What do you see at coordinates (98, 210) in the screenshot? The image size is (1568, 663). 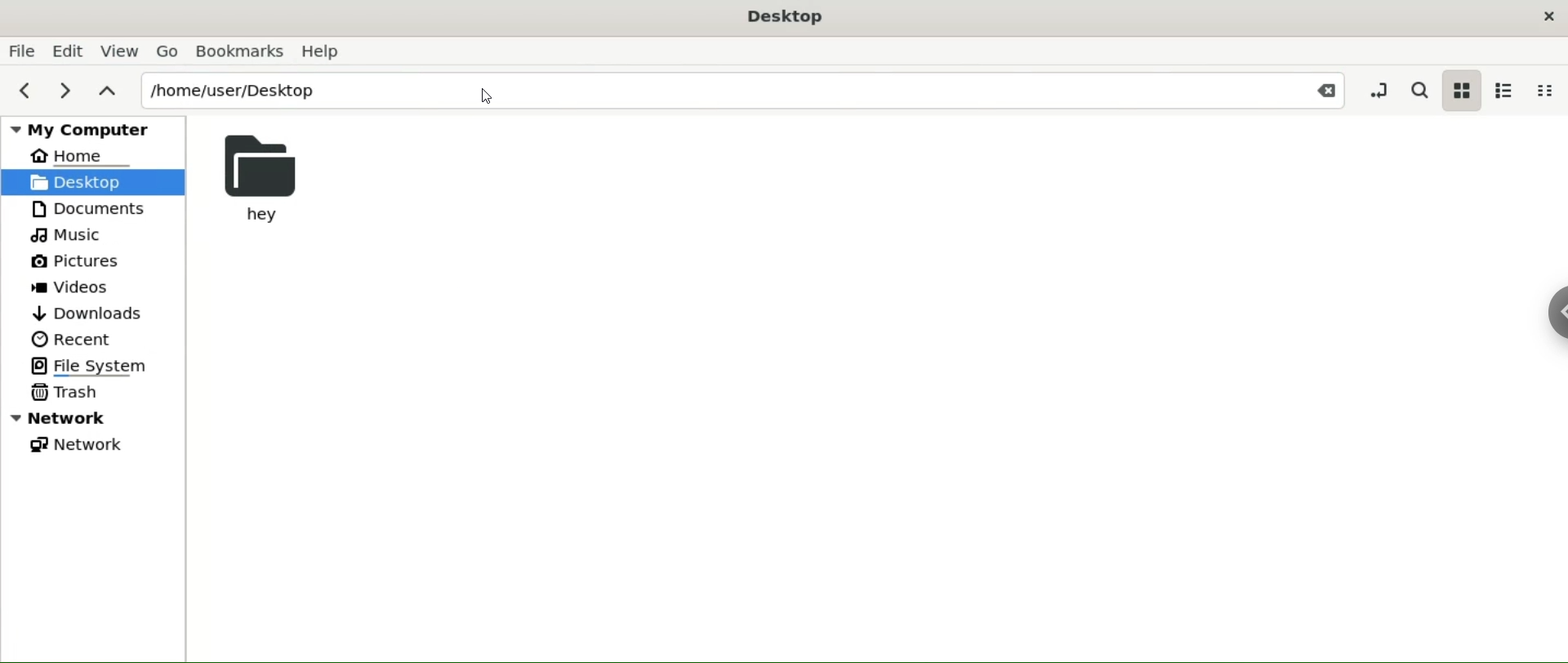 I see `documents` at bounding box center [98, 210].